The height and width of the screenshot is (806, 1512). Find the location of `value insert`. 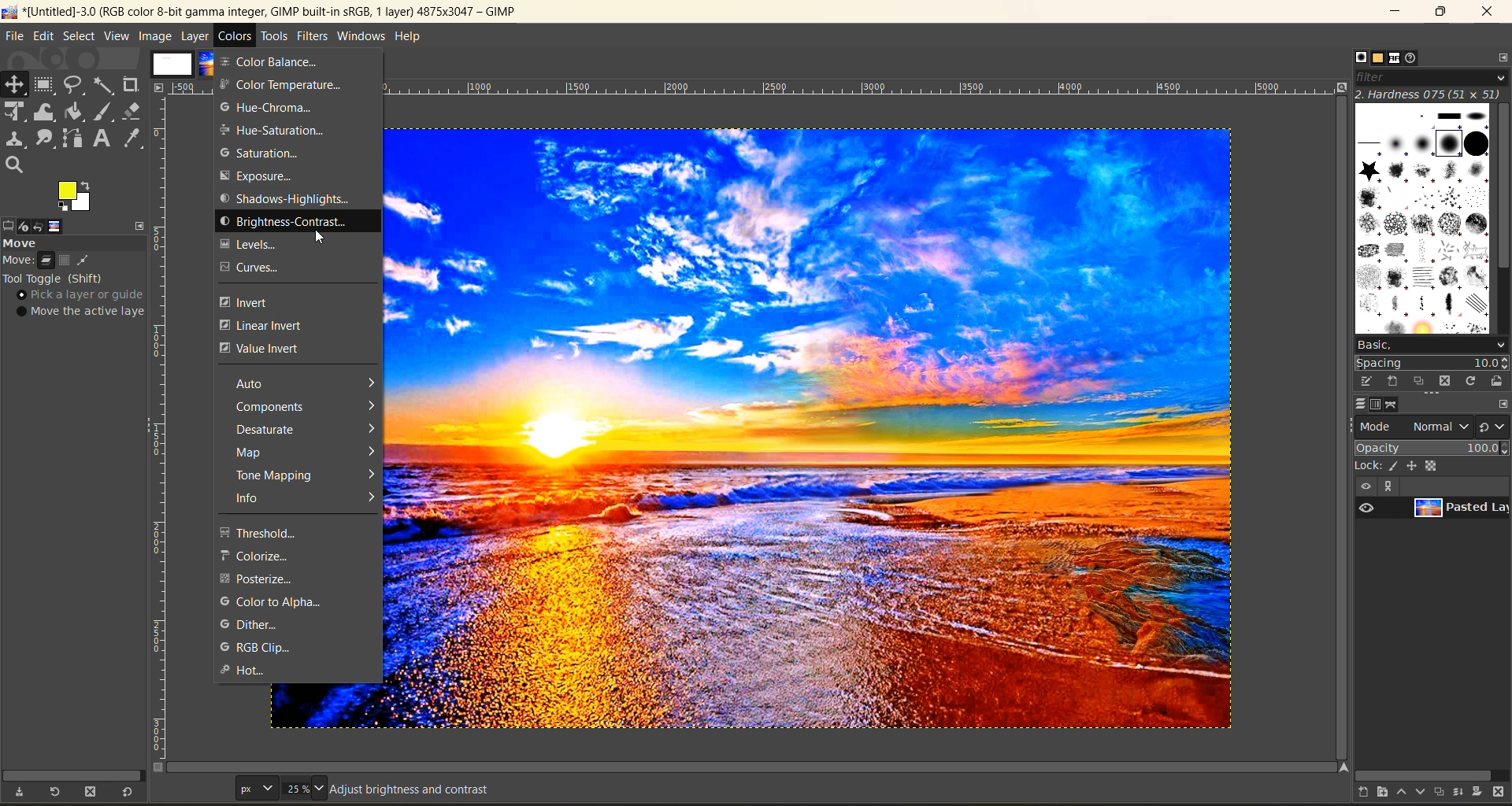

value insert is located at coordinates (260, 350).